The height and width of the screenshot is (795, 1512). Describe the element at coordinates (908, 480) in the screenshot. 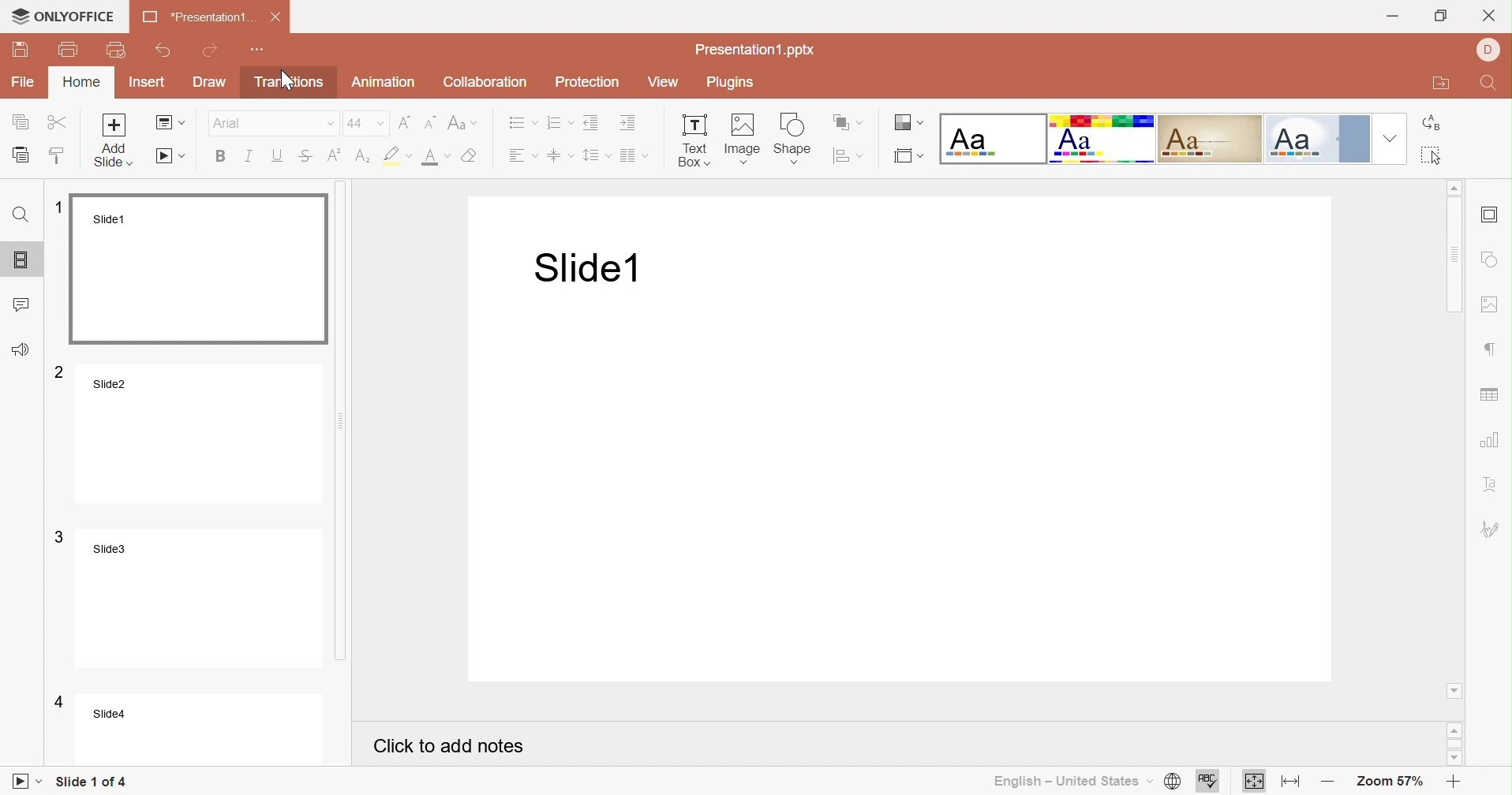

I see `Presentation slide` at that location.